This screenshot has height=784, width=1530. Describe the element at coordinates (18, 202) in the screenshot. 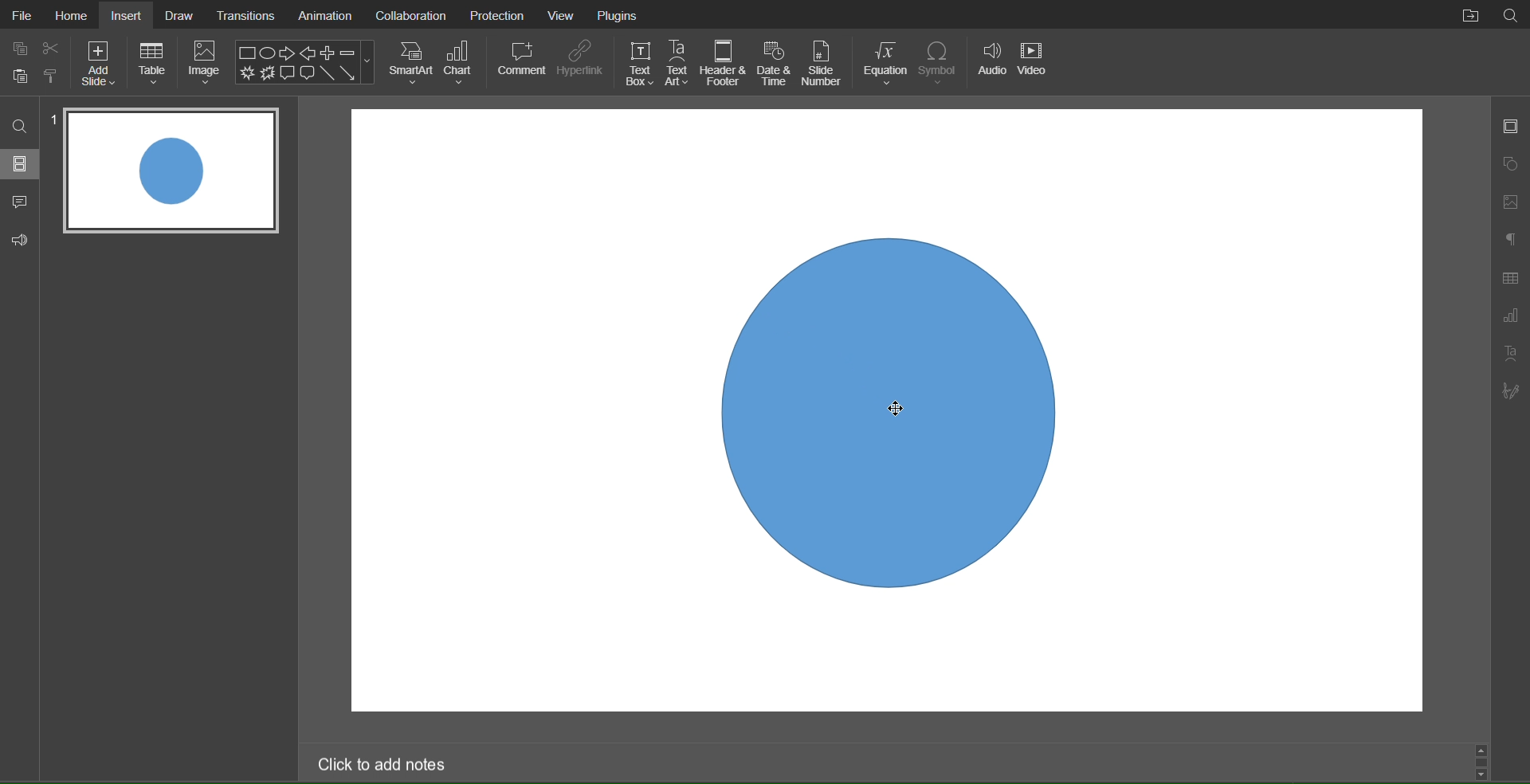

I see `Comments` at that location.